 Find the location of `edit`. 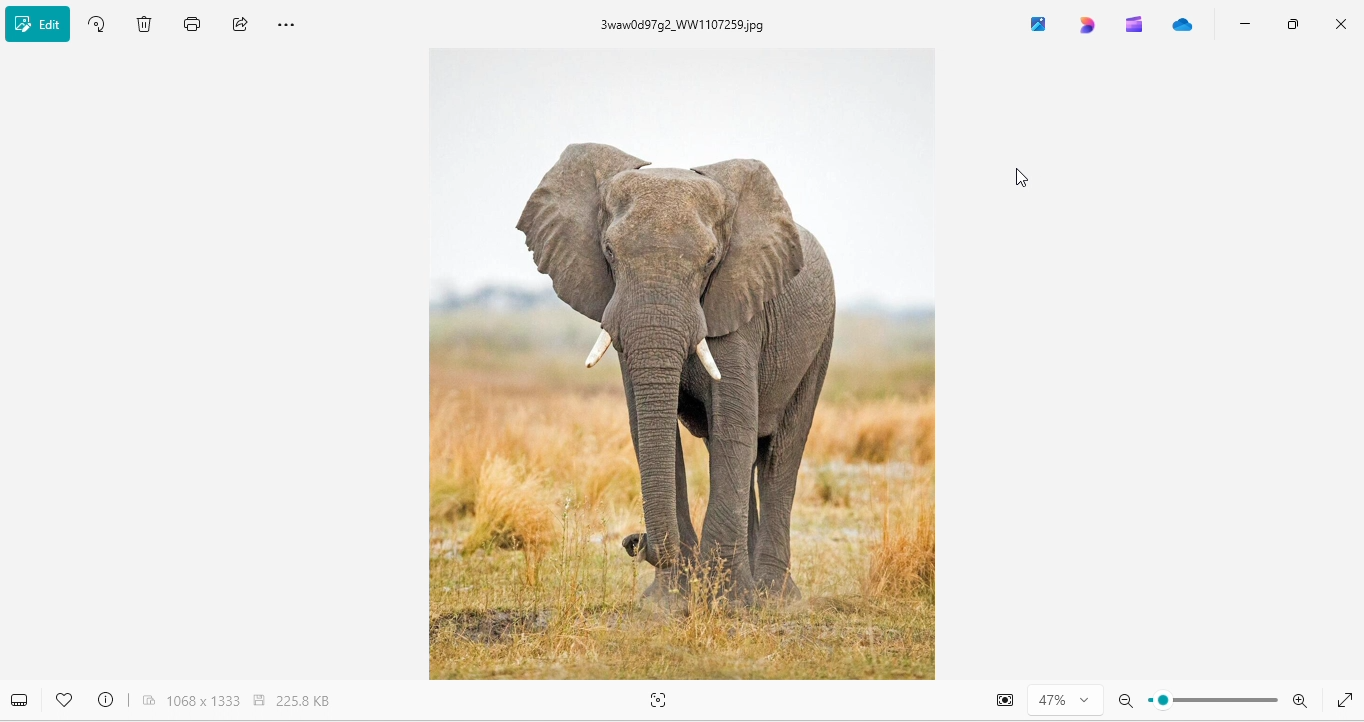

edit is located at coordinates (41, 23).